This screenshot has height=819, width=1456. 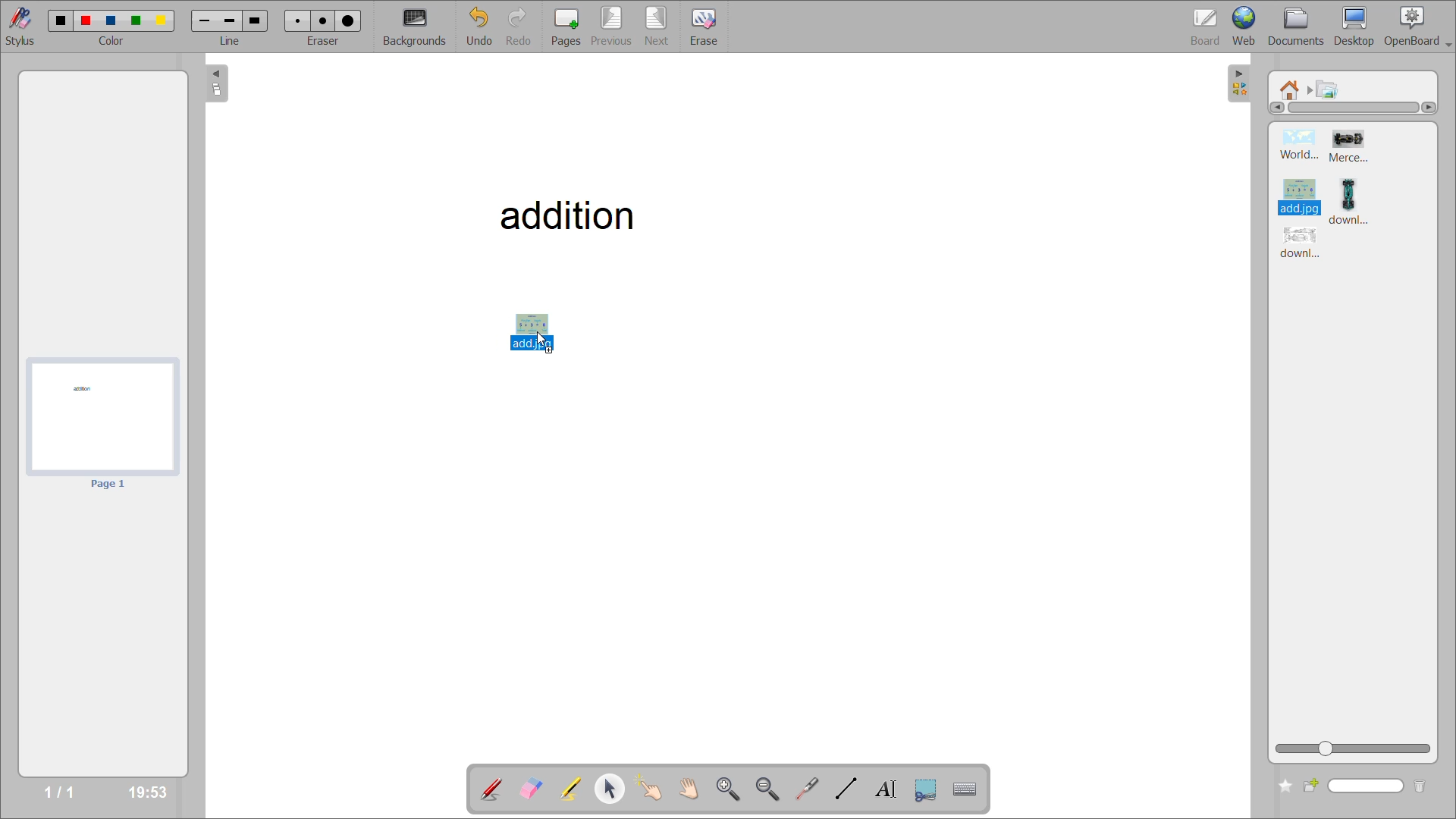 I want to click on display virtual keyboard, so click(x=968, y=788).